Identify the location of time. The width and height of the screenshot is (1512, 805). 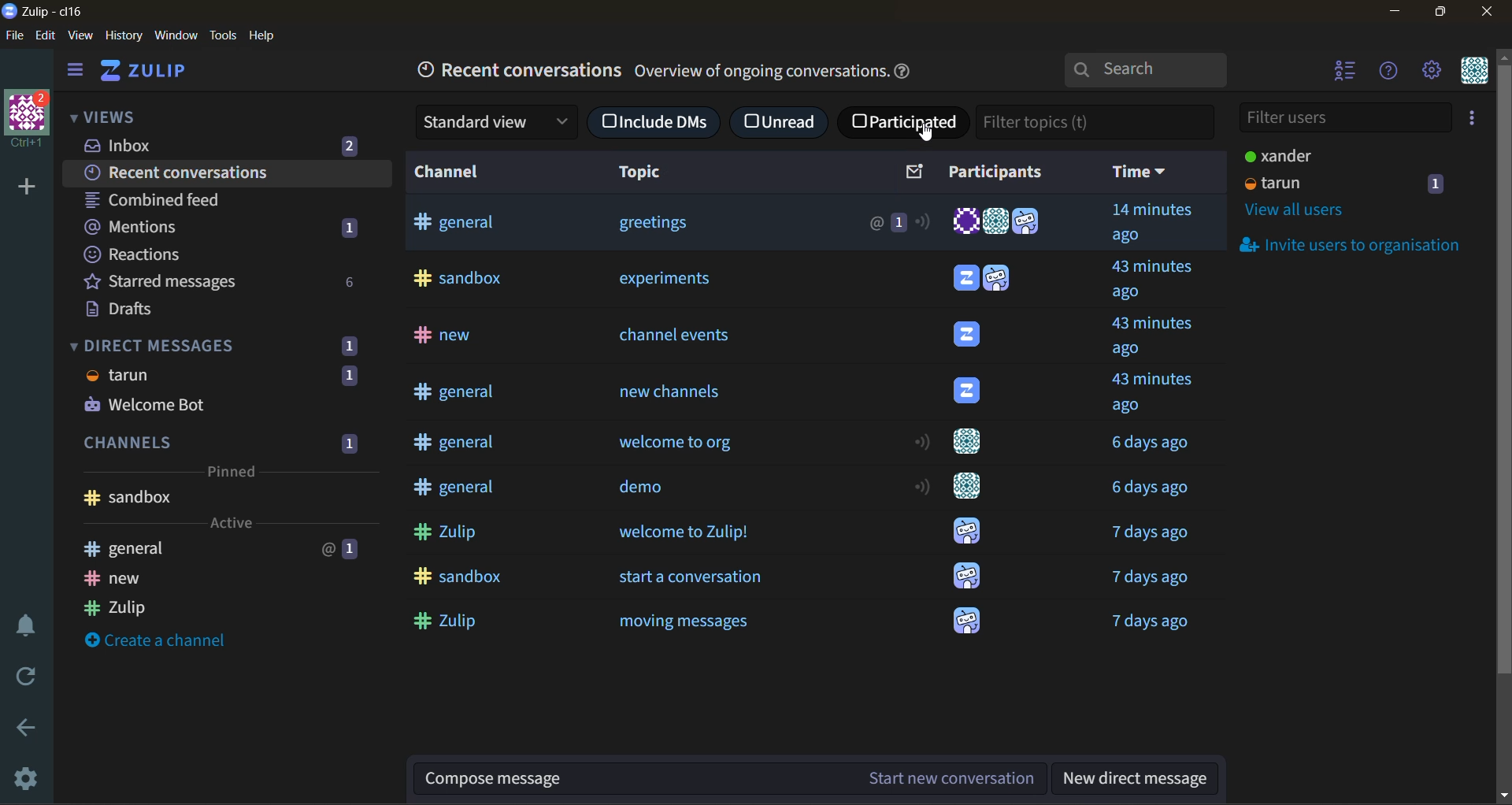
(1165, 620).